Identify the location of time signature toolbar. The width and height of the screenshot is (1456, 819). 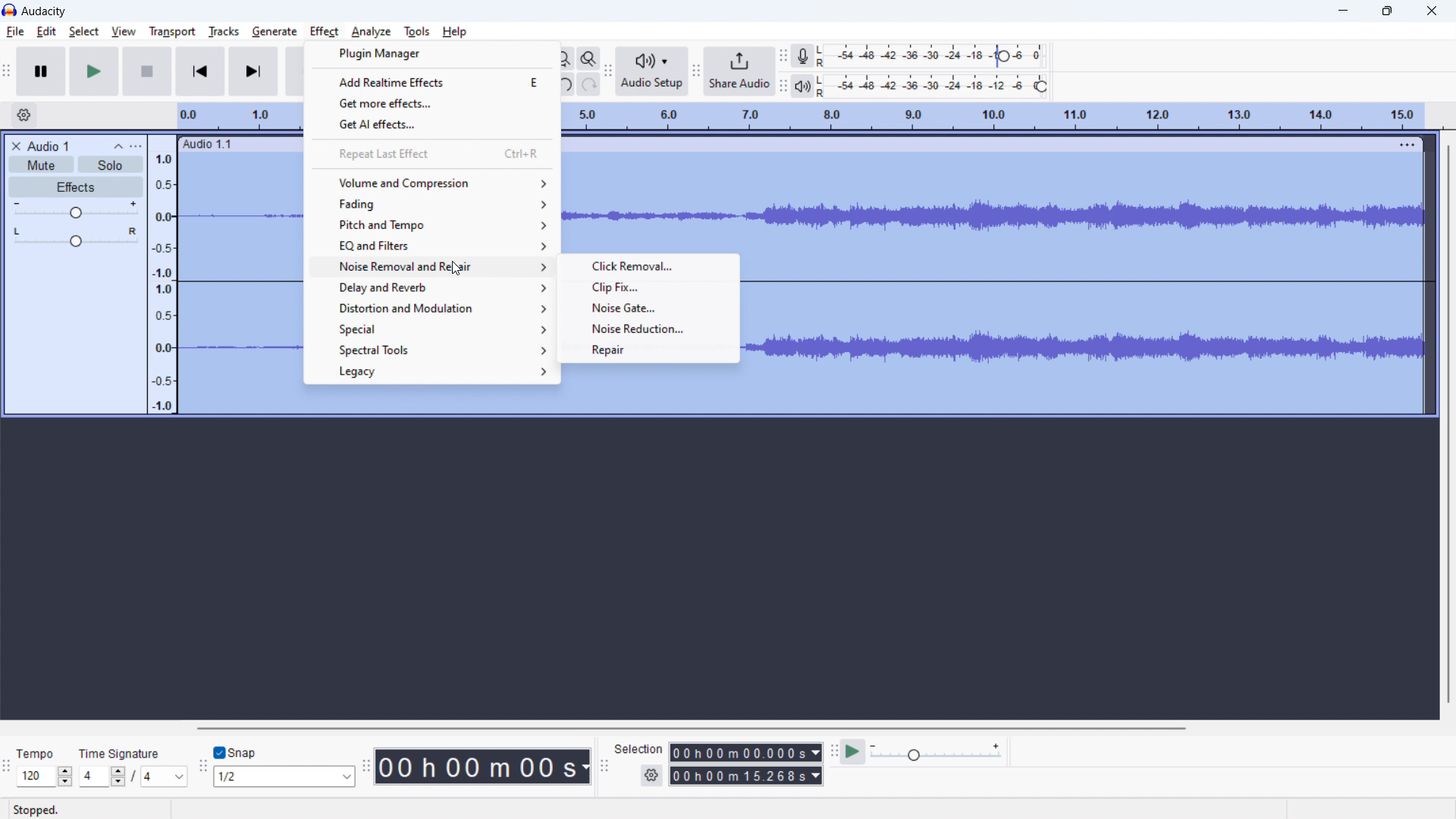
(8, 766).